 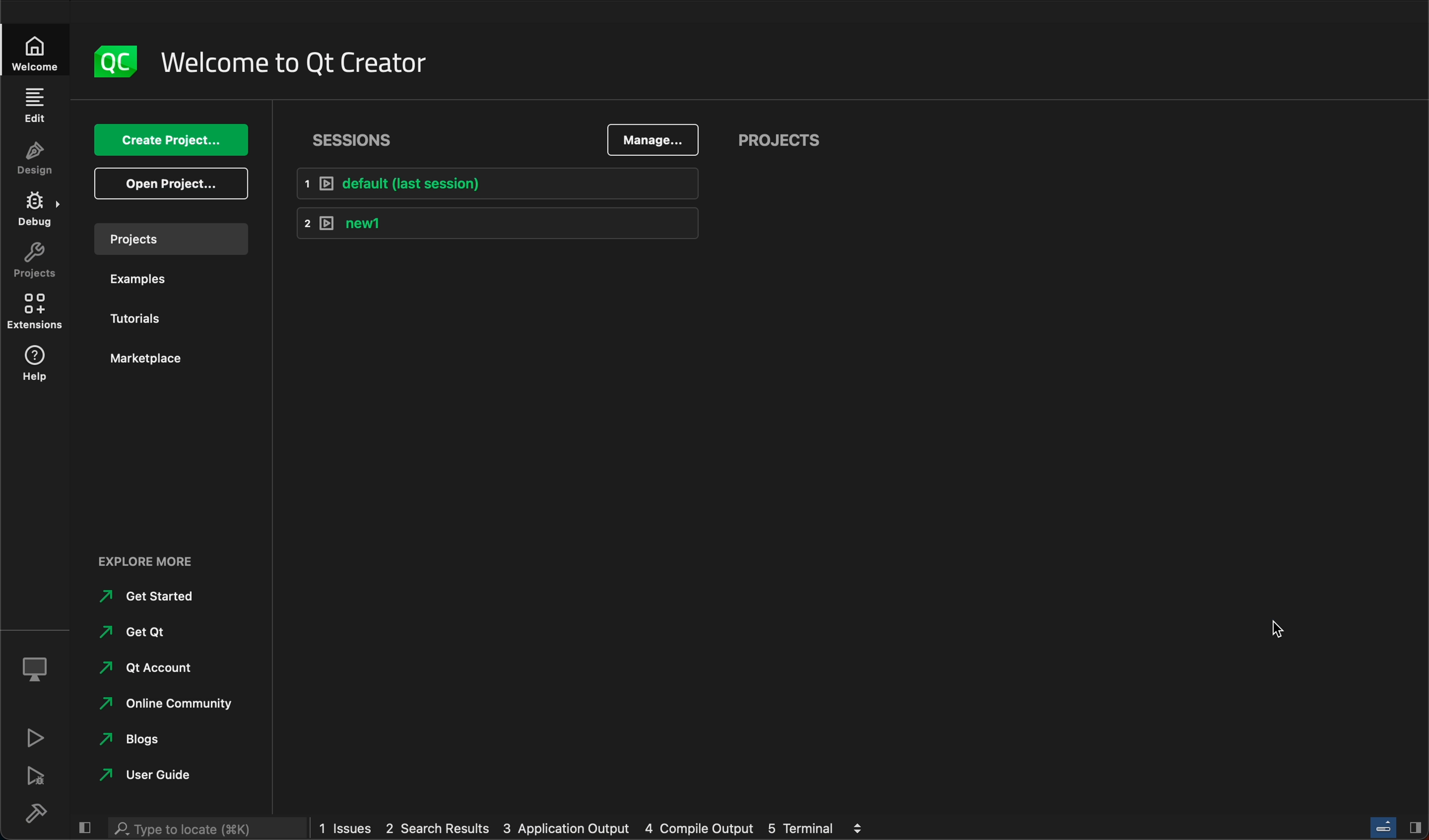 I want to click on examples, so click(x=158, y=281).